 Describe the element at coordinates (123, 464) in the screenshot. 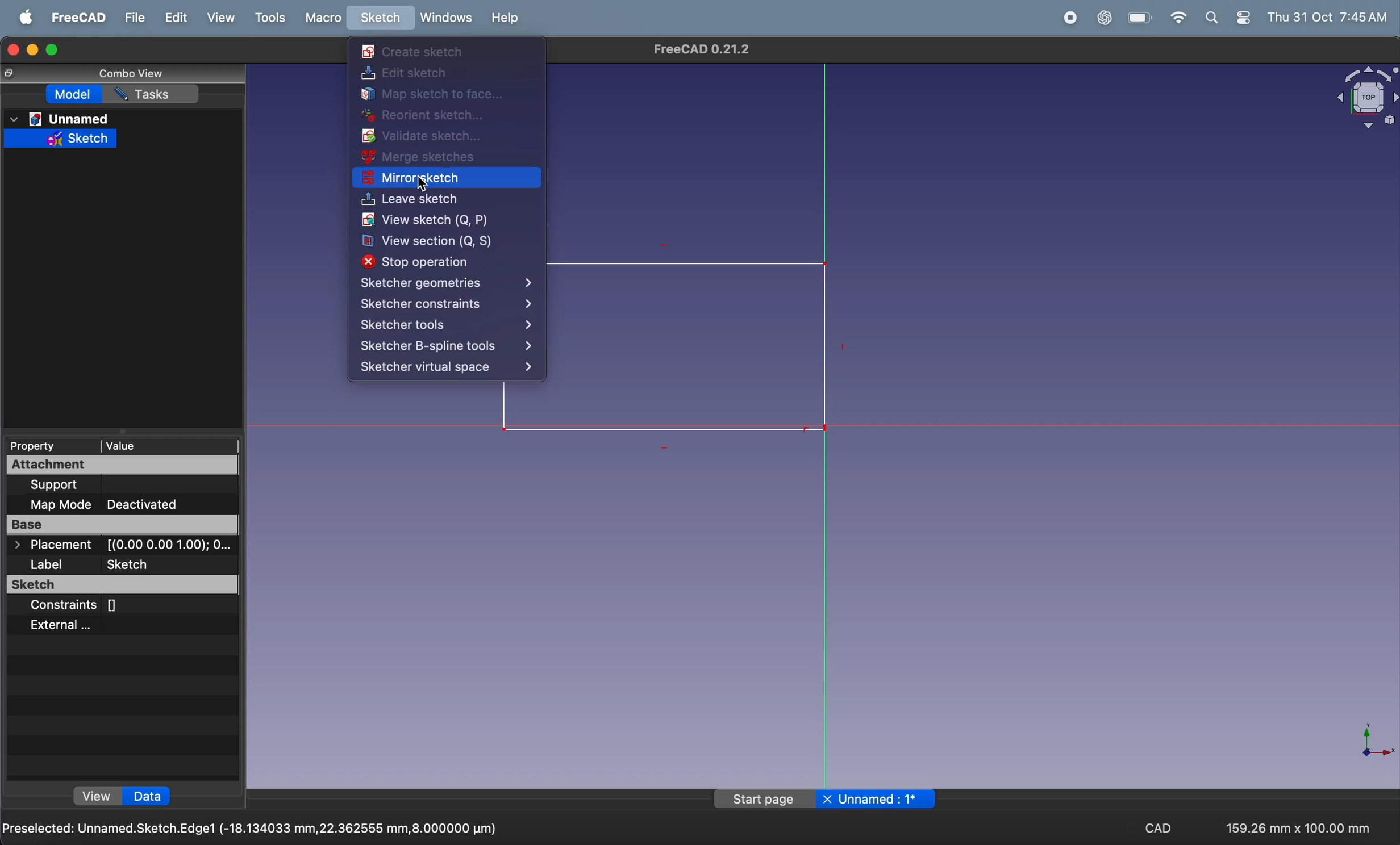

I see `attachment` at that location.